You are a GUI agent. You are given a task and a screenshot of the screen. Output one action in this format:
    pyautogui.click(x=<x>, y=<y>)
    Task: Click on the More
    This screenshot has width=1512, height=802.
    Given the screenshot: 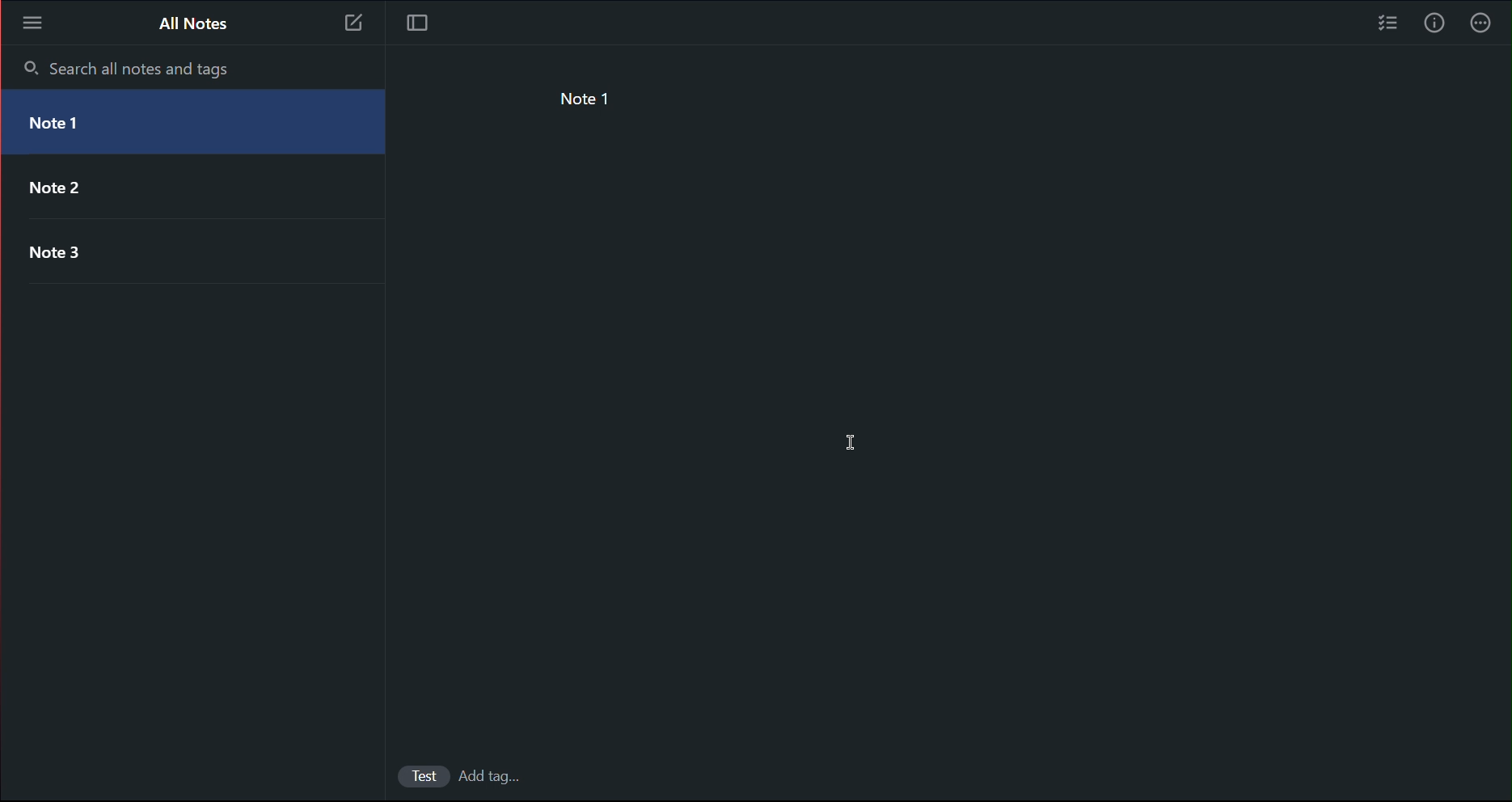 What is the action you would take?
    pyautogui.click(x=32, y=21)
    